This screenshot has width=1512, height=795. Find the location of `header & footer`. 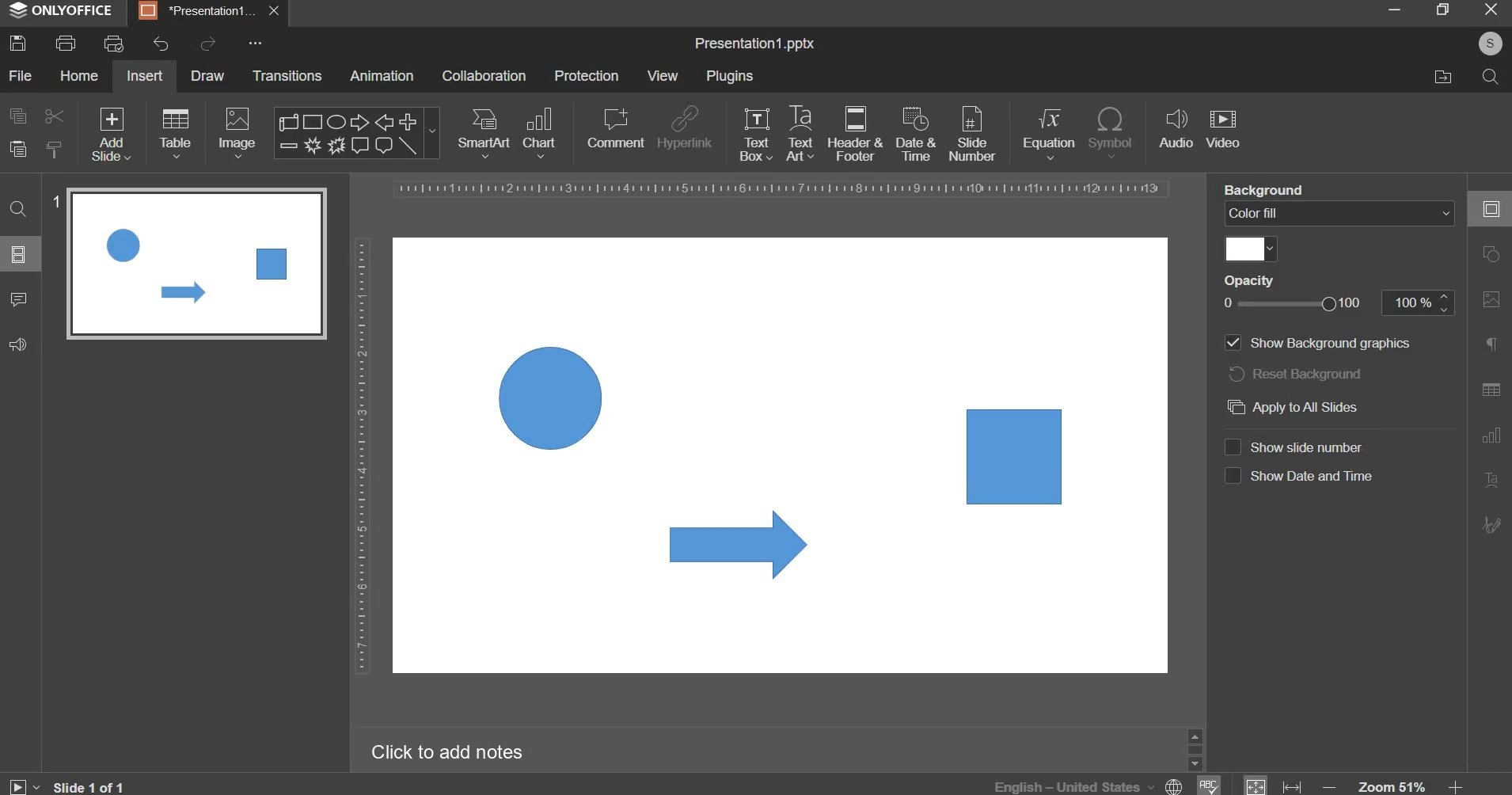

header & footer is located at coordinates (854, 133).